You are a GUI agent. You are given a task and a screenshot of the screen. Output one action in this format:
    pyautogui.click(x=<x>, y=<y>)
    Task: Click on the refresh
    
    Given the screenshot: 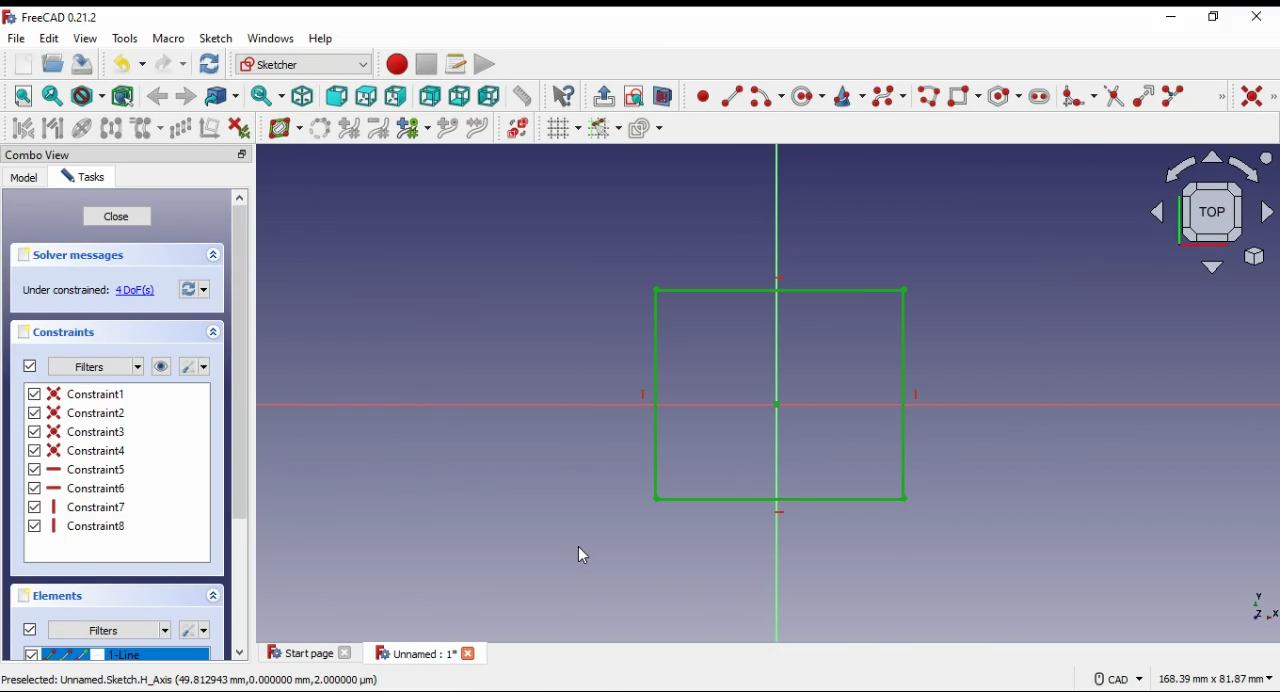 What is the action you would take?
    pyautogui.click(x=195, y=288)
    